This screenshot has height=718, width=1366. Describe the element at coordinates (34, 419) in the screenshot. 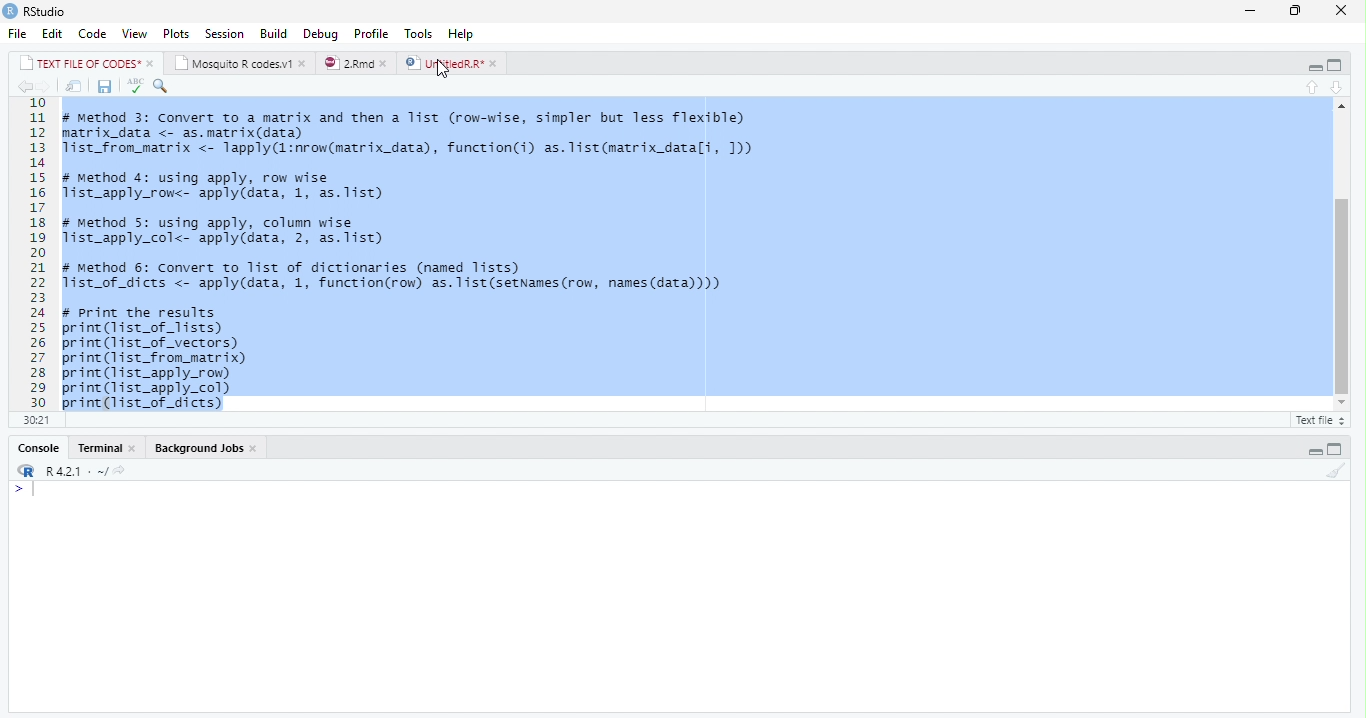

I see `1:1` at that location.